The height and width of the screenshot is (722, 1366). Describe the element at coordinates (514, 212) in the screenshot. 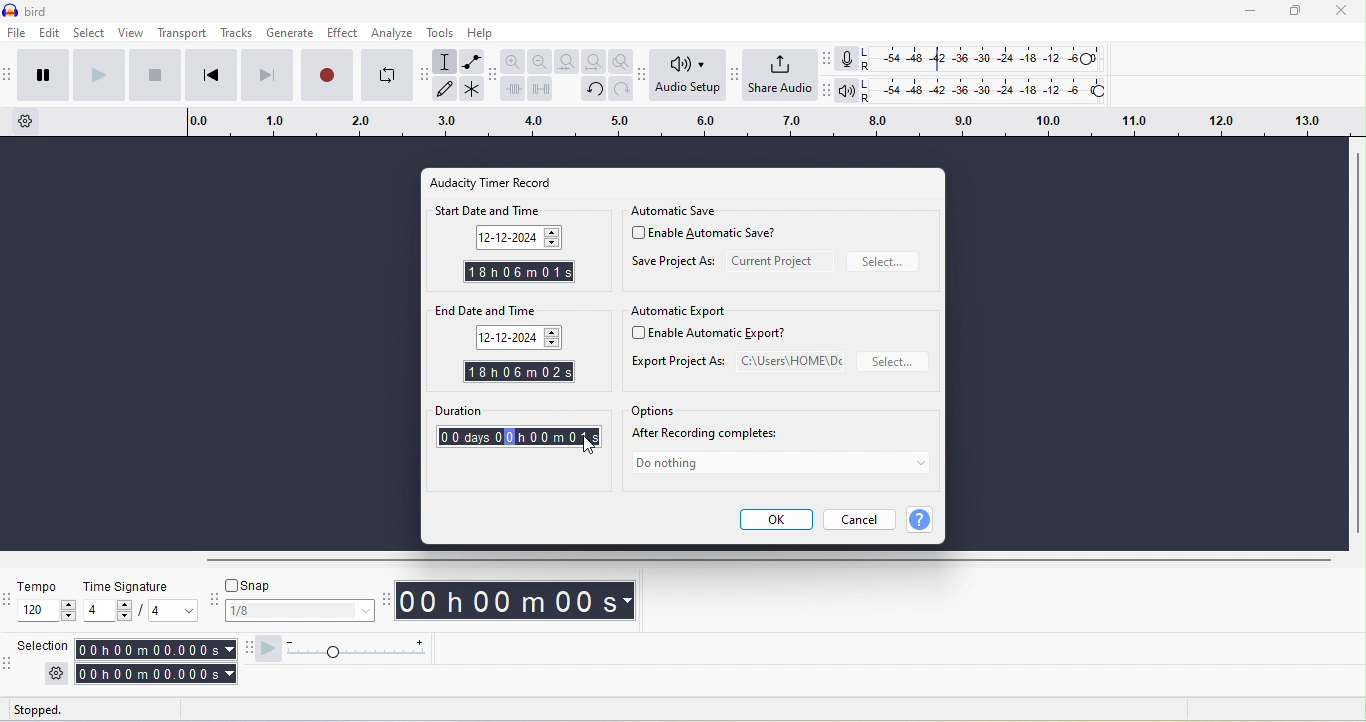

I see `start date and time` at that location.